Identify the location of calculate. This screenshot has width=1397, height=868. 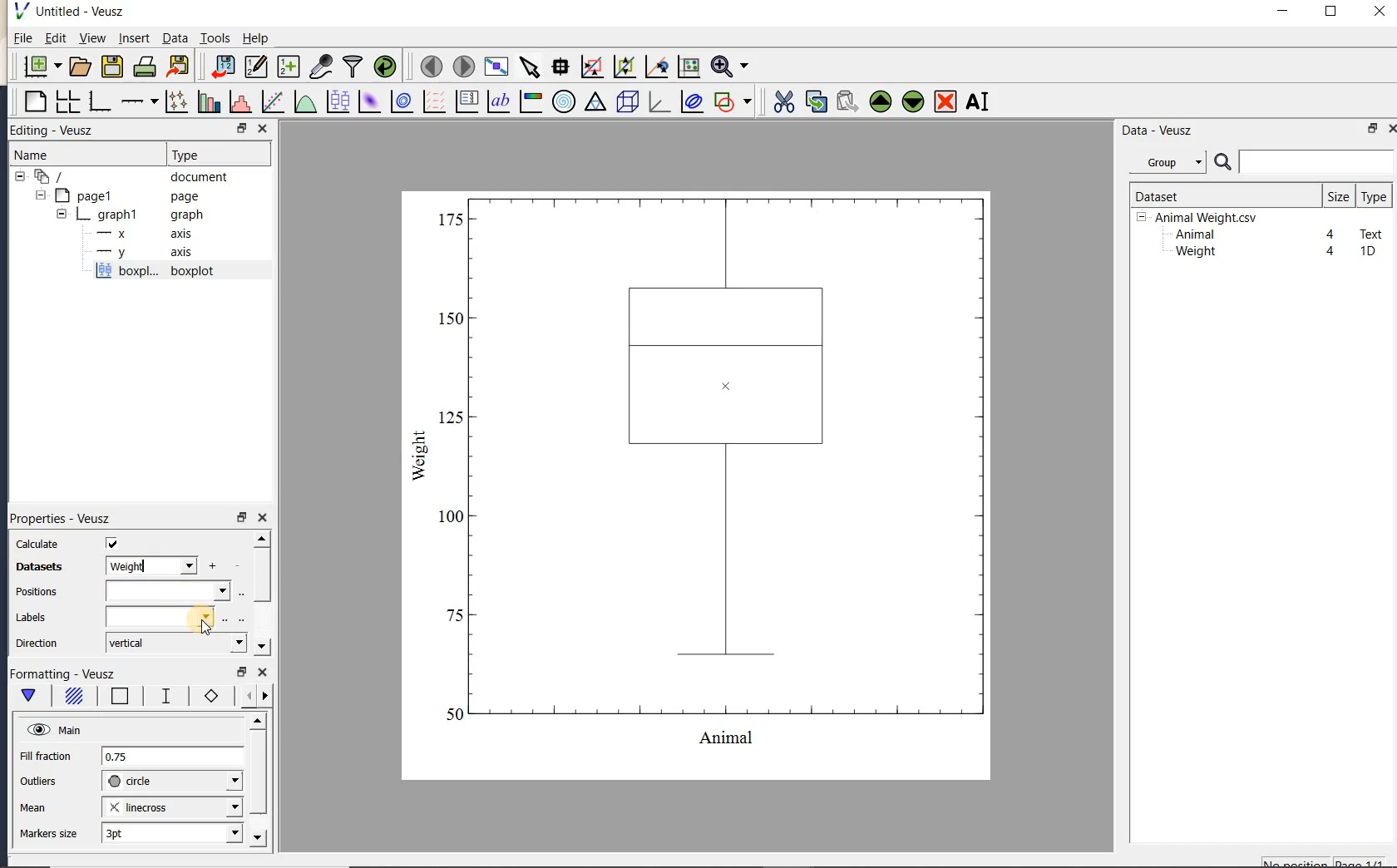
(38, 545).